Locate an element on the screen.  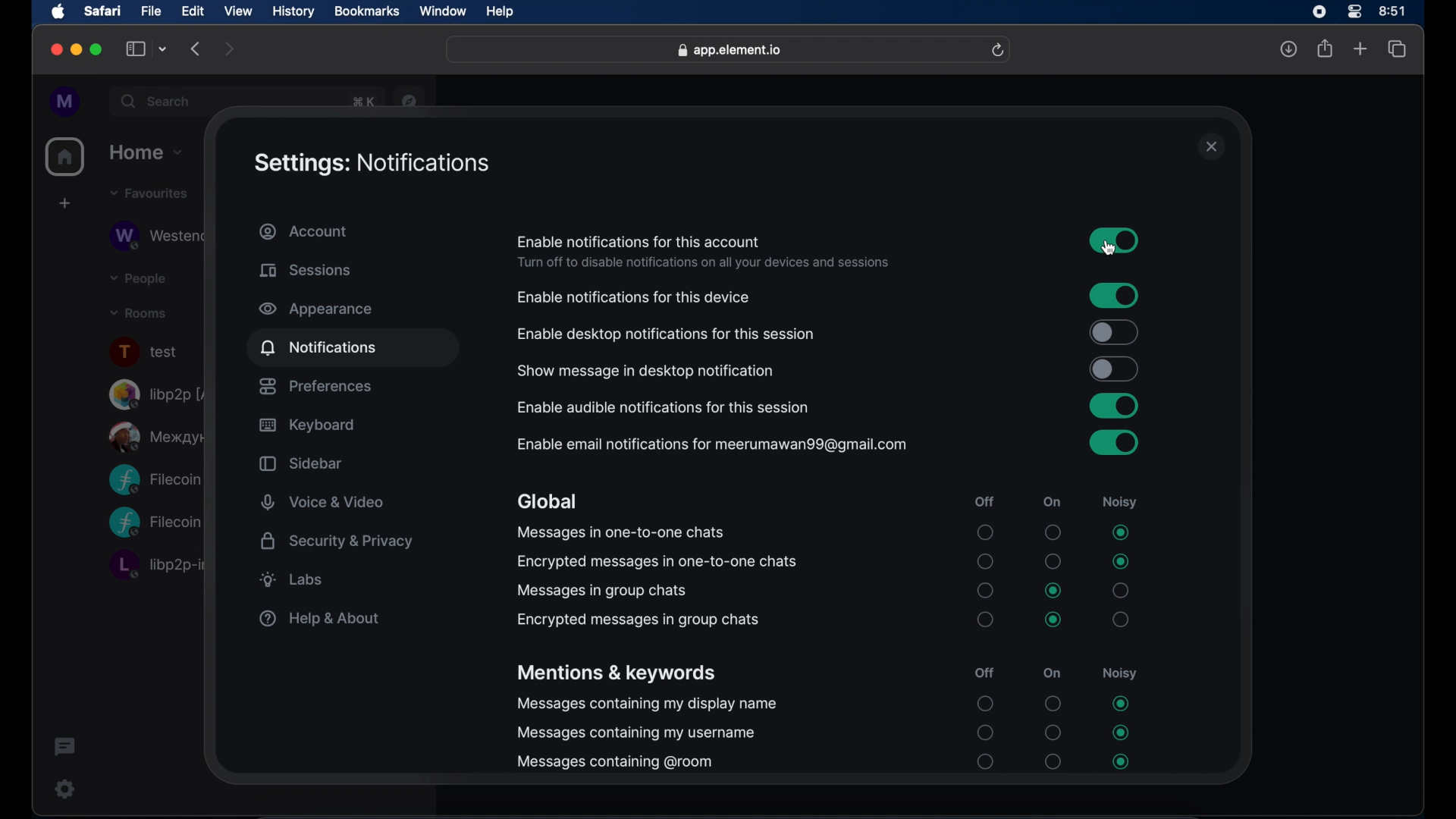
encrypted messages  in one-t-one chats is located at coordinates (657, 562).